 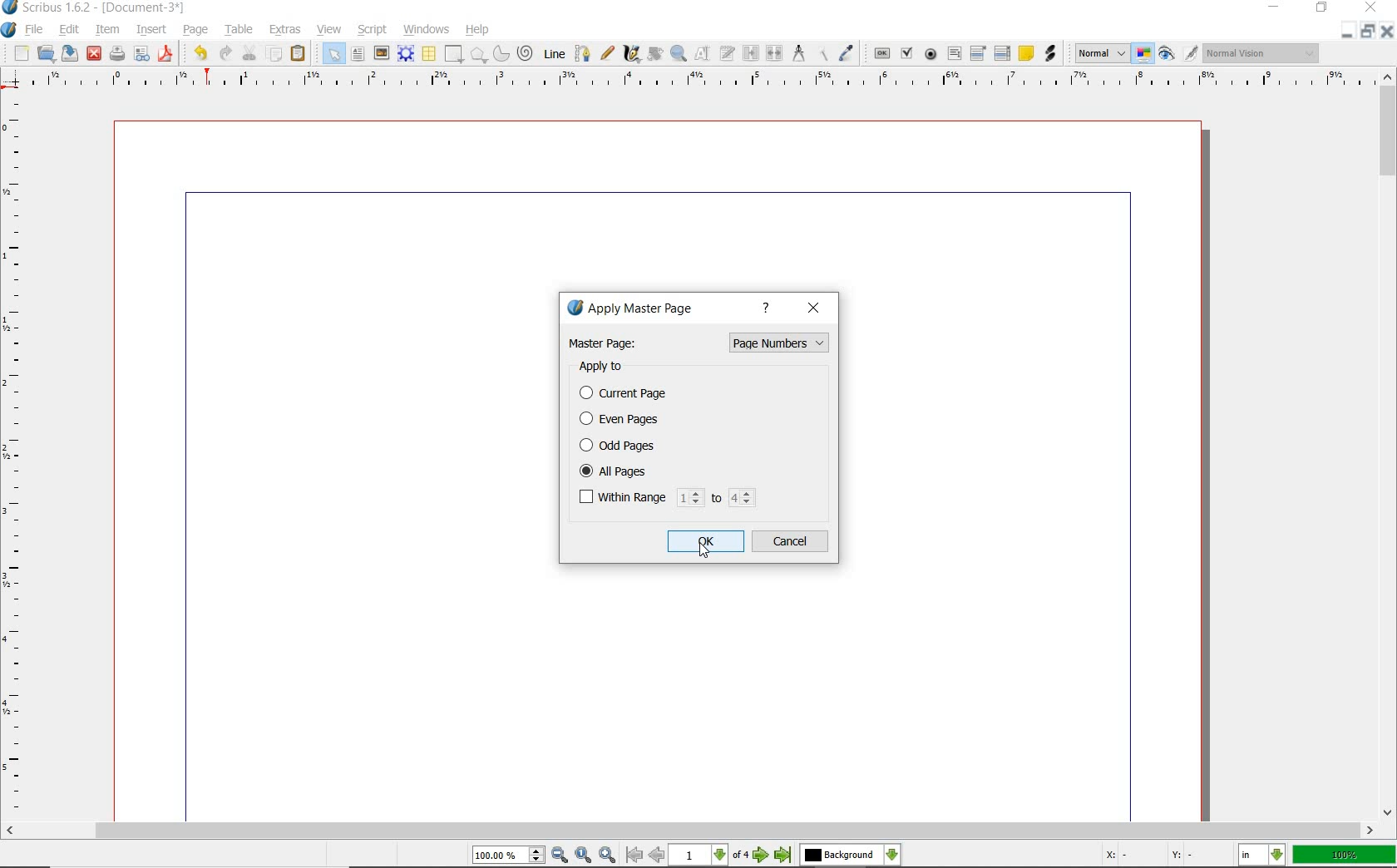 What do you see at coordinates (906, 52) in the screenshot?
I see `pdf check box` at bounding box center [906, 52].